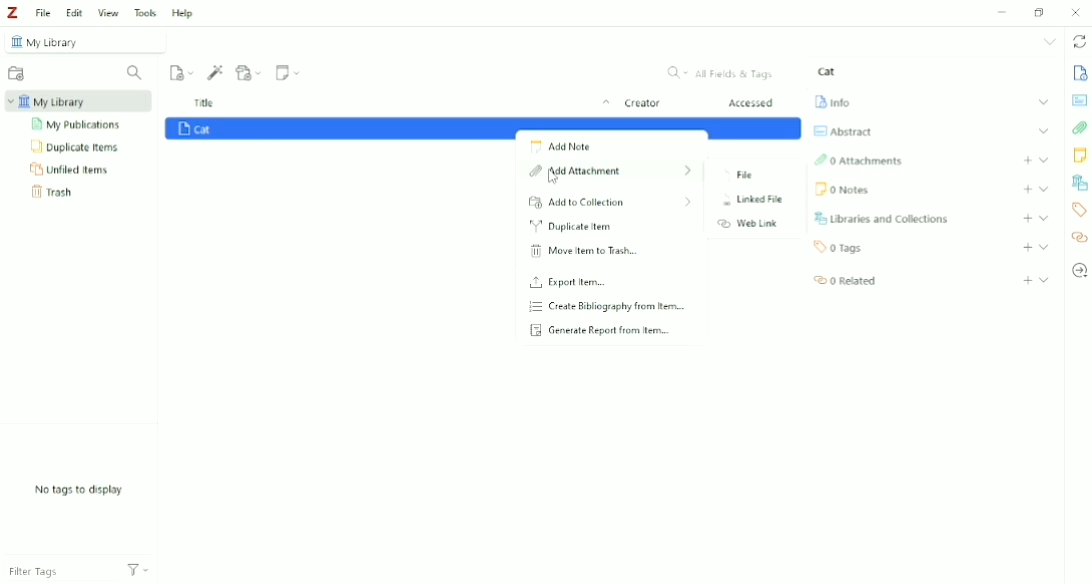 The height and width of the screenshot is (584, 1092). Describe the element at coordinates (739, 176) in the screenshot. I see `File` at that location.